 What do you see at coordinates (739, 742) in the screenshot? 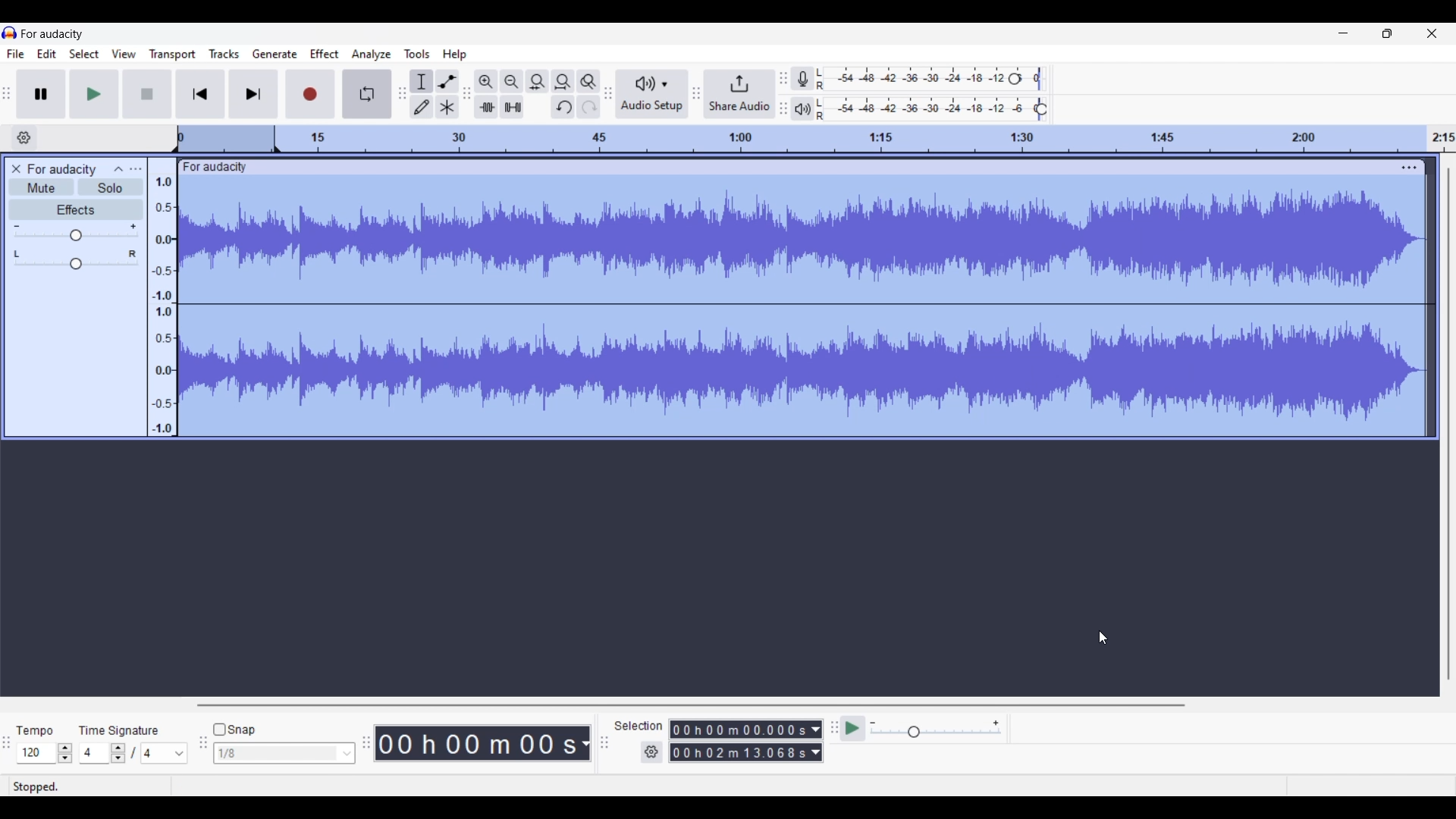
I see `Selection duration` at bounding box center [739, 742].